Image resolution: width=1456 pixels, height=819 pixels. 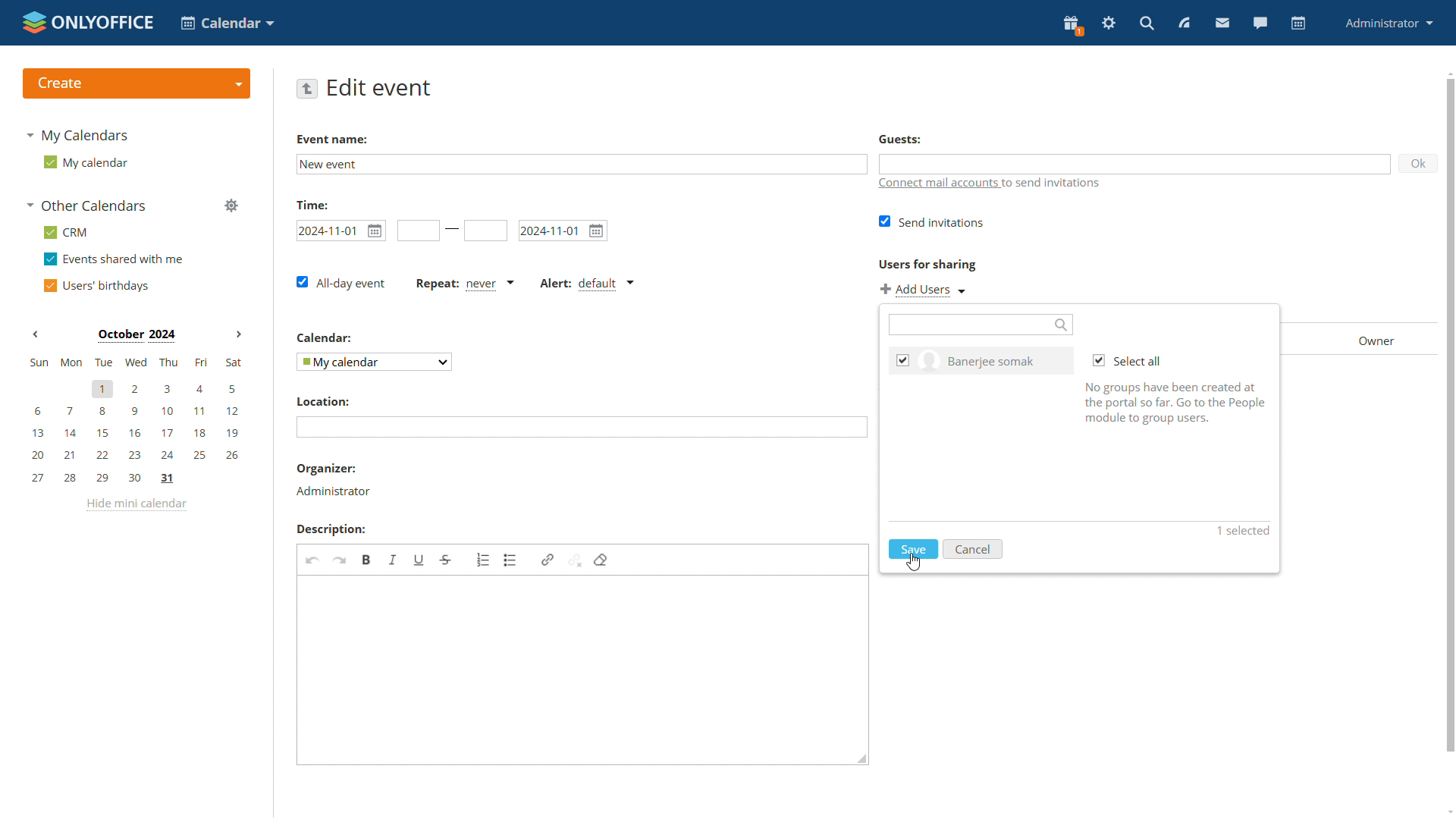 I want to click on edit description, so click(x=582, y=670).